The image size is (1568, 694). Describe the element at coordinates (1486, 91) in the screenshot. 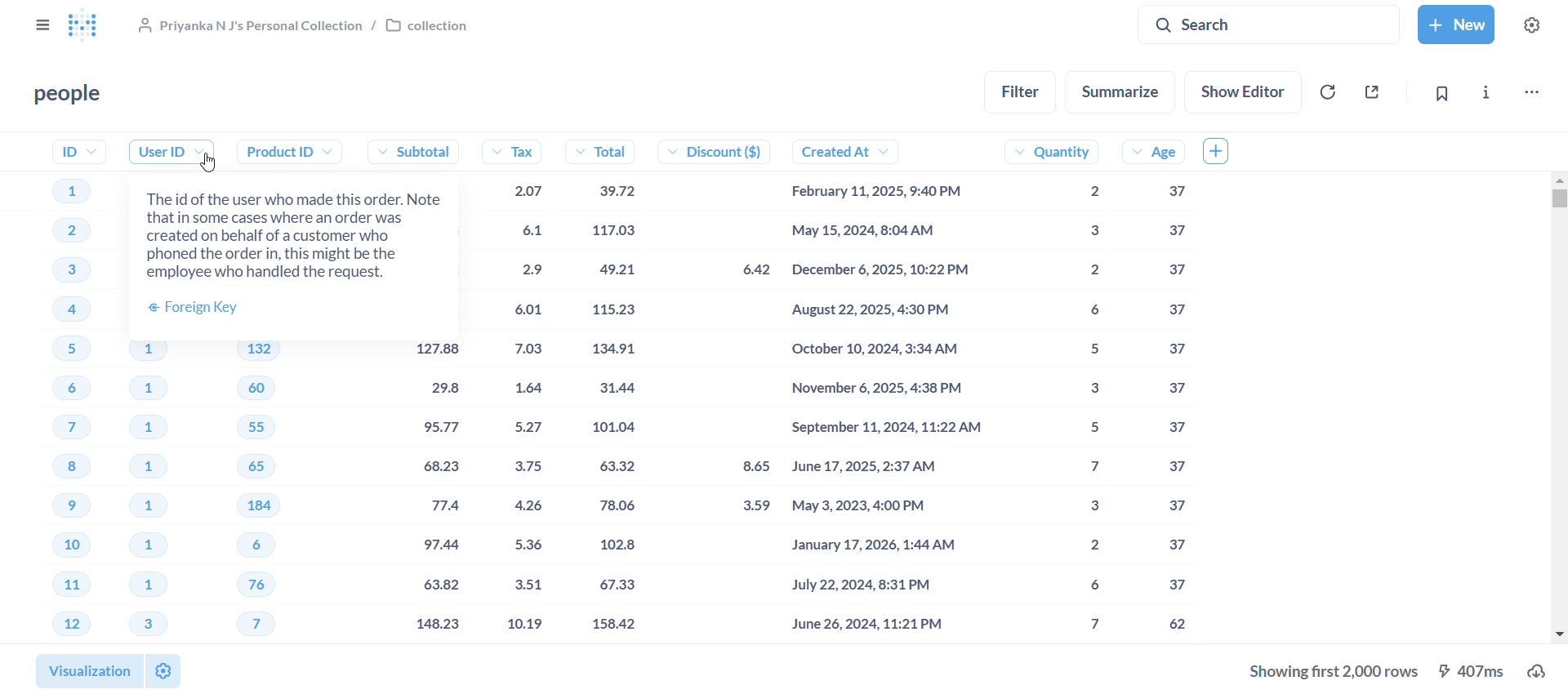

I see `info` at that location.